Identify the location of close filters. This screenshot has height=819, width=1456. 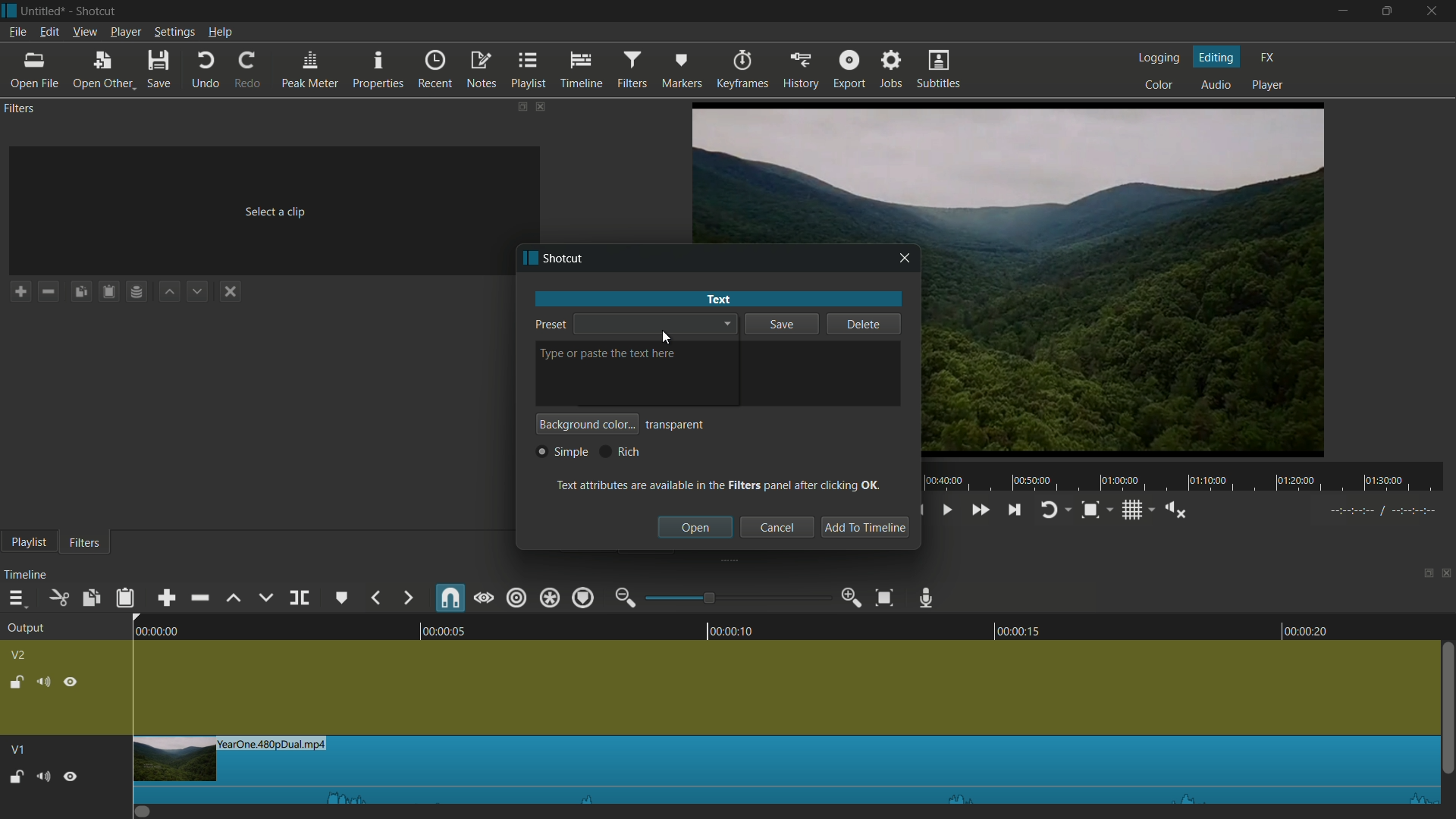
(543, 106).